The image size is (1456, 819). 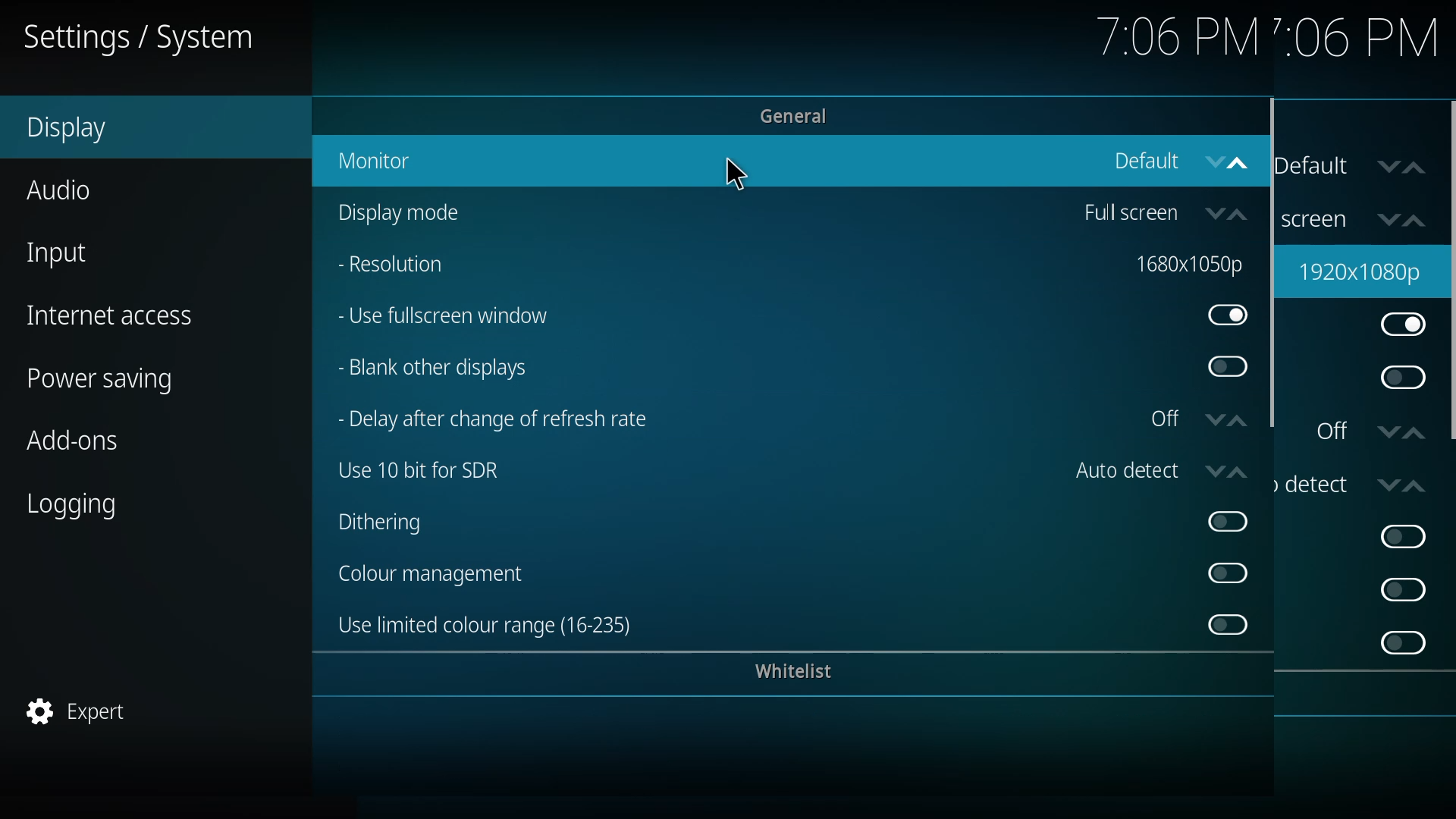 I want to click on system, so click(x=171, y=38).